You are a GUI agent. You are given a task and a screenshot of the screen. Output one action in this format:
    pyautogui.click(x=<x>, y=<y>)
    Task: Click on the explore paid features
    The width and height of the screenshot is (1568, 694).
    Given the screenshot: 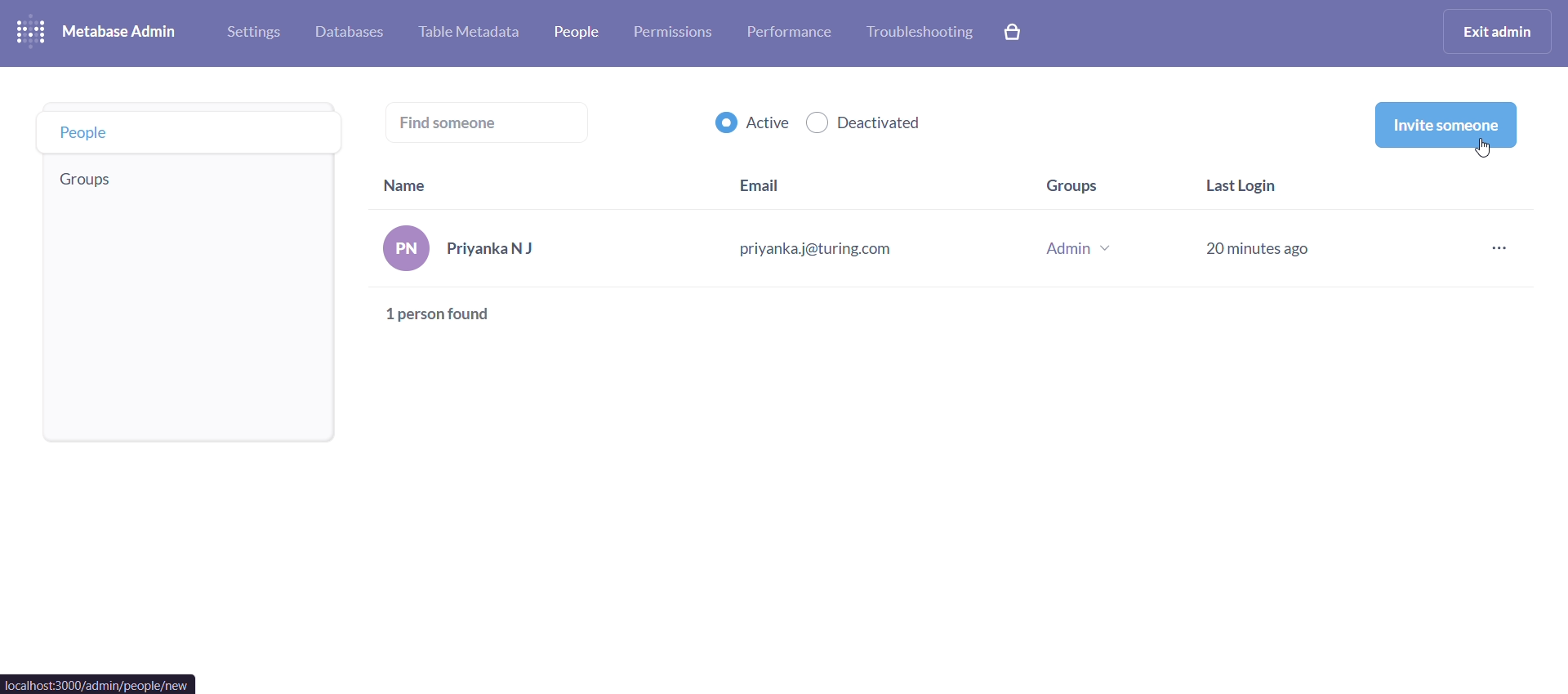 What is the action you would take?
    pyautogui.click(x=1014, y=33)
    